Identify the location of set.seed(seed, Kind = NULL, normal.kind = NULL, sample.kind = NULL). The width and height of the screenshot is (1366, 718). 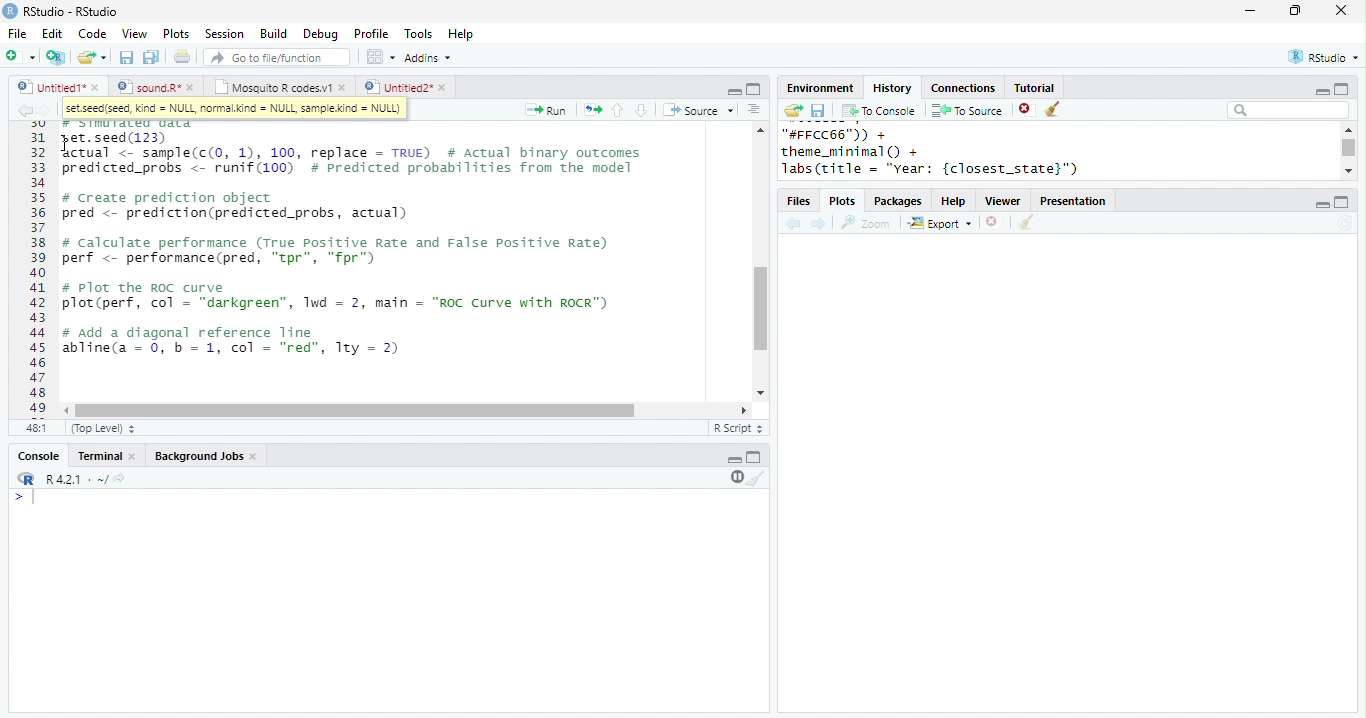
(234, 109).